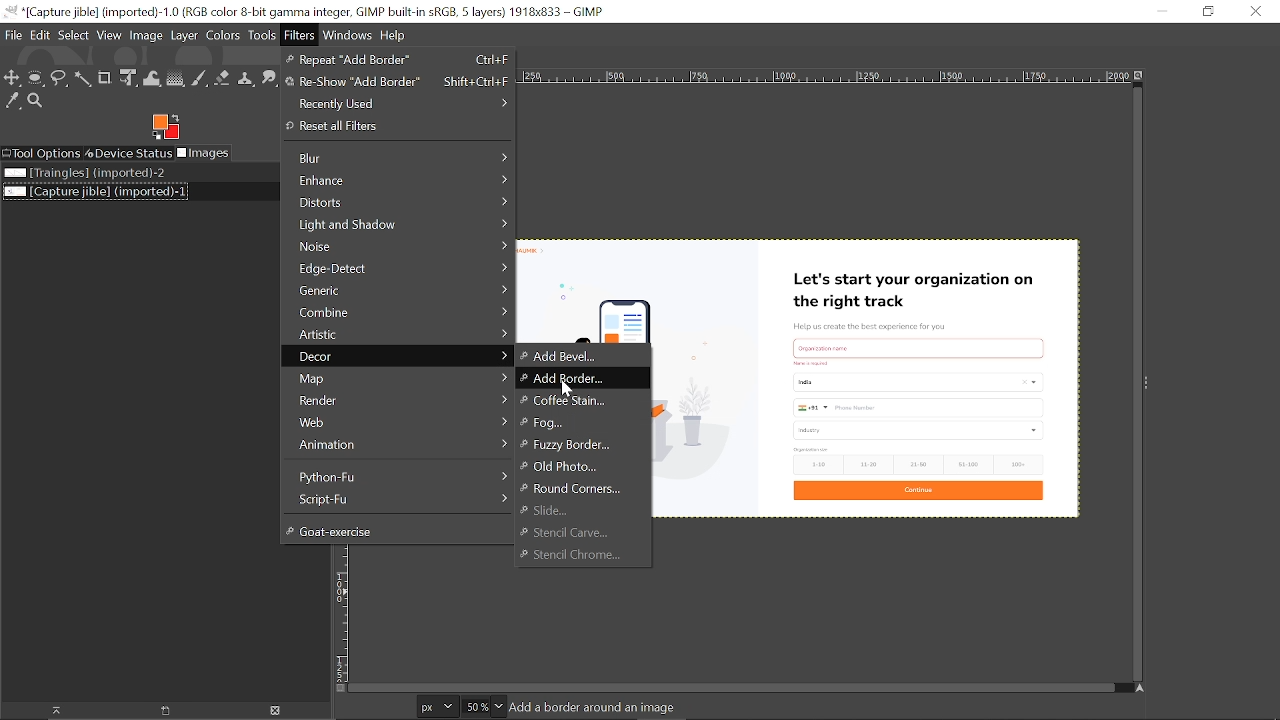  What do you see at coordinates (248, 79) in the screenshot?
I see `Clone tool` at bounding box center [248, 79].